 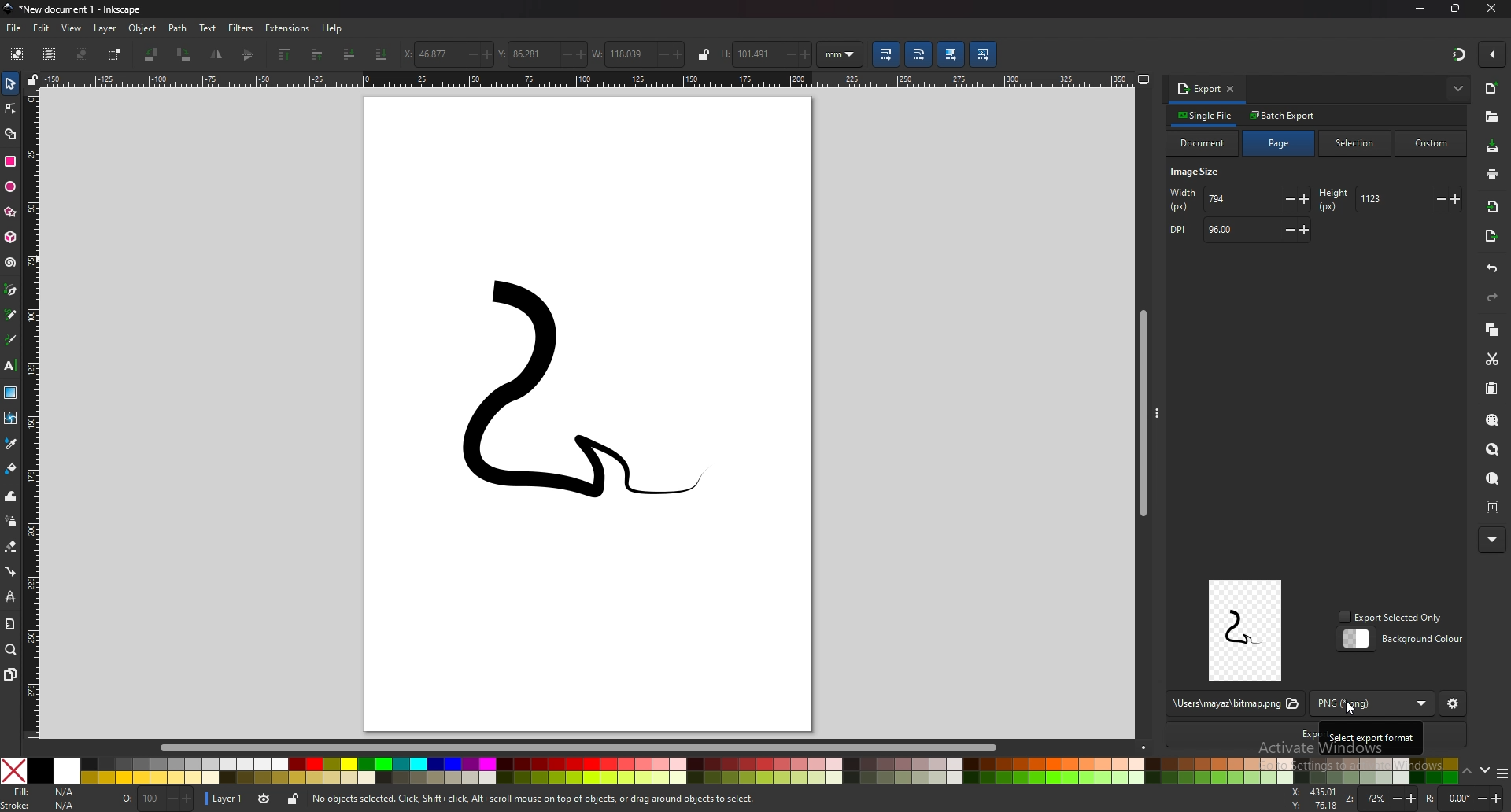 What do you see at coordinates (590, 746) in the screenshot?
I see `scroll bar` at bounding box center [590, 746].